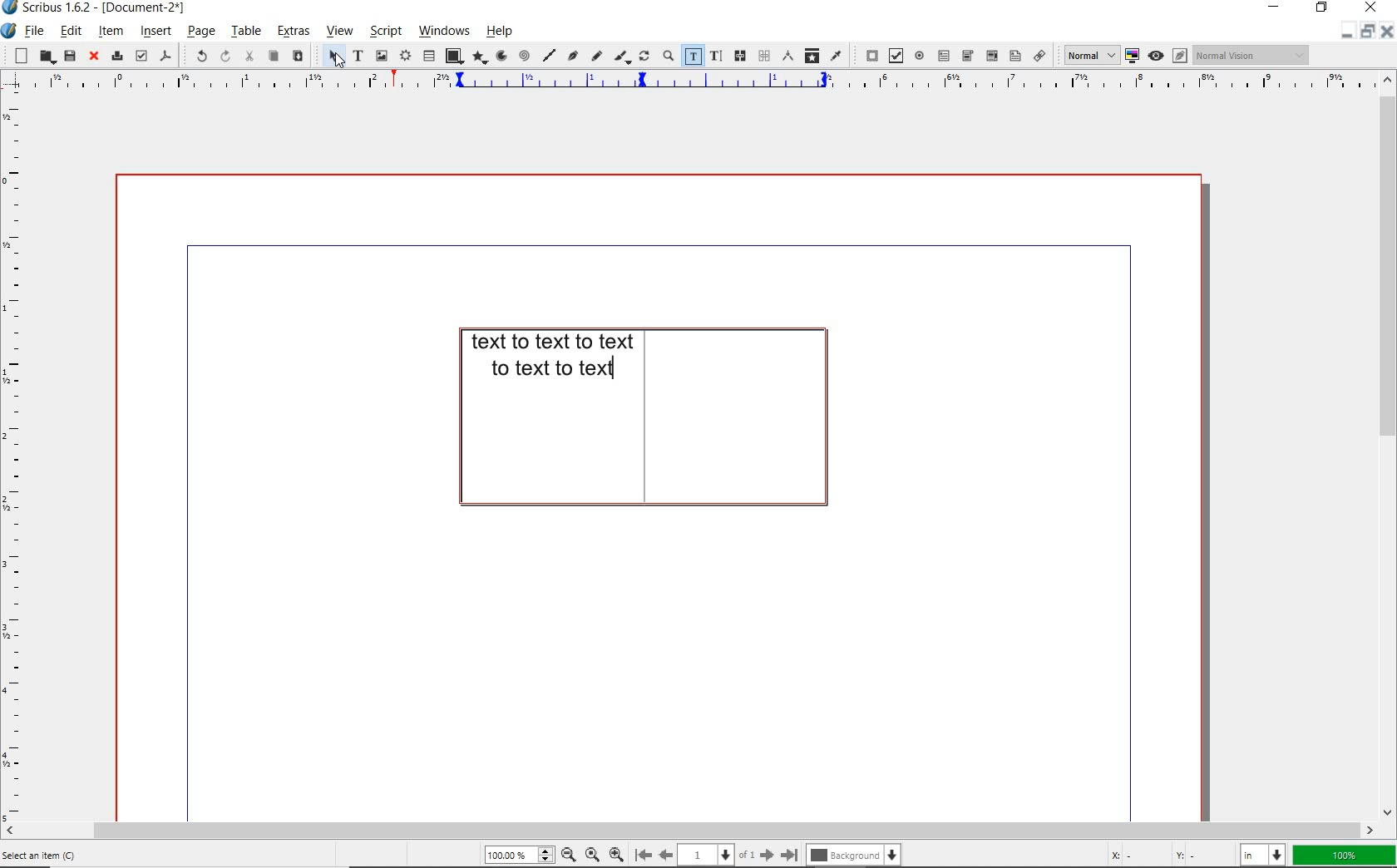 The image size is (1397, 868). Describe the element at coordinates (247, 57) in the screenshot. I see `cut` at that location.